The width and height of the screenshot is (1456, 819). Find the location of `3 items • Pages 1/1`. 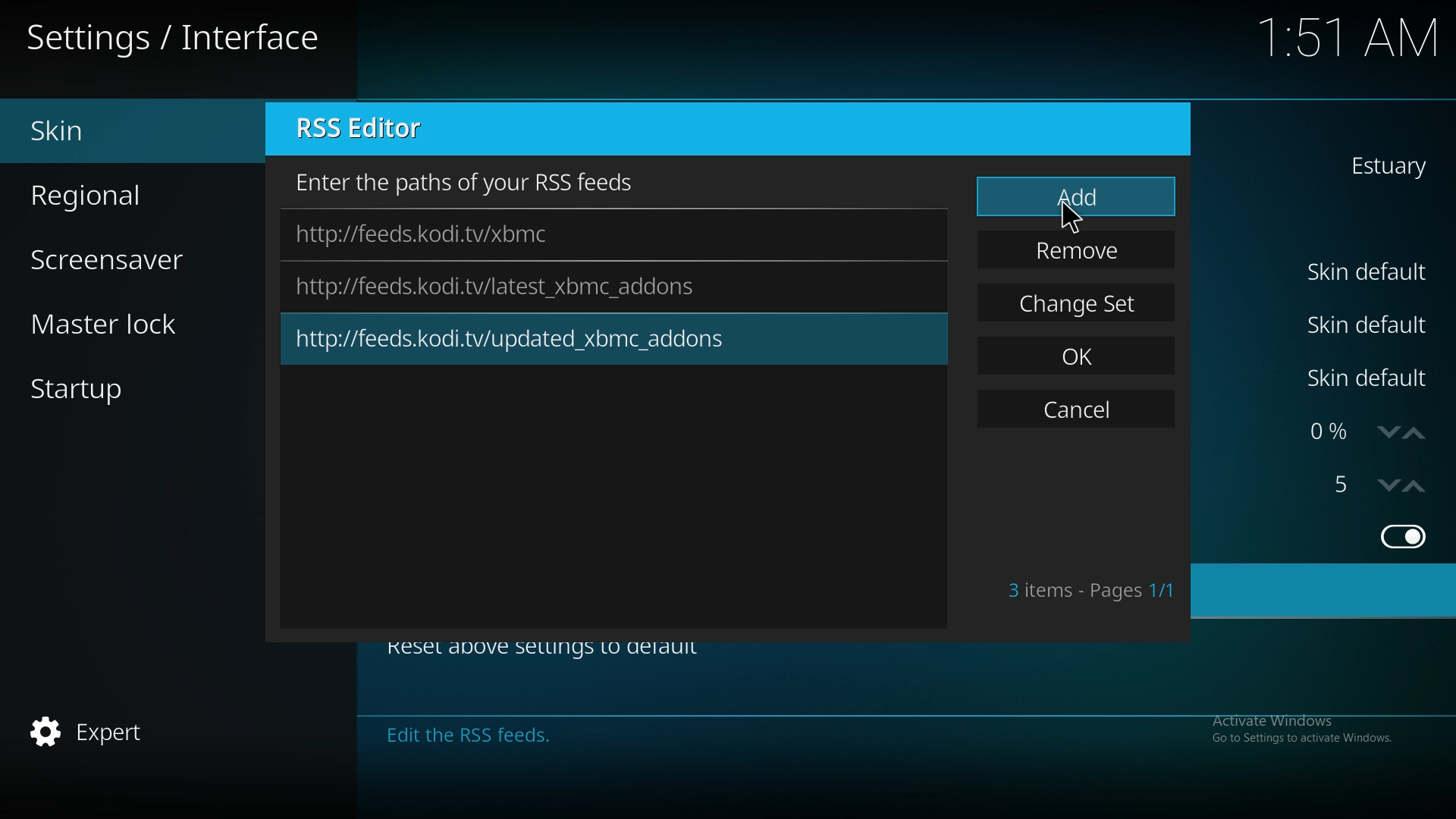

3 items • Pages 1/1 is located at coordinates (1090, 591).